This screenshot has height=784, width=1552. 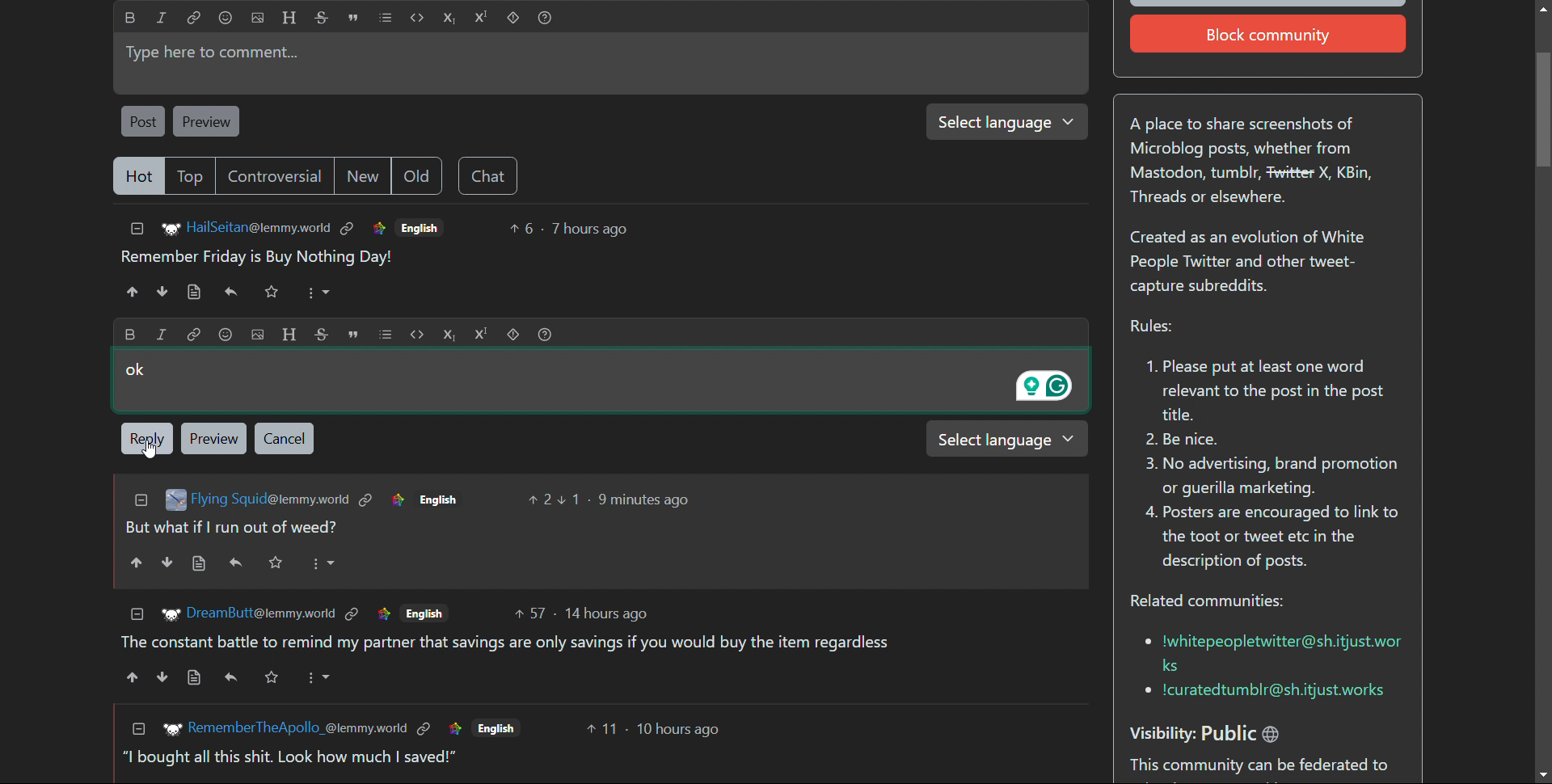 What do you see at coordinates (549, 333) in the screenshot?
I see `help` at bounding box center [549, 333].